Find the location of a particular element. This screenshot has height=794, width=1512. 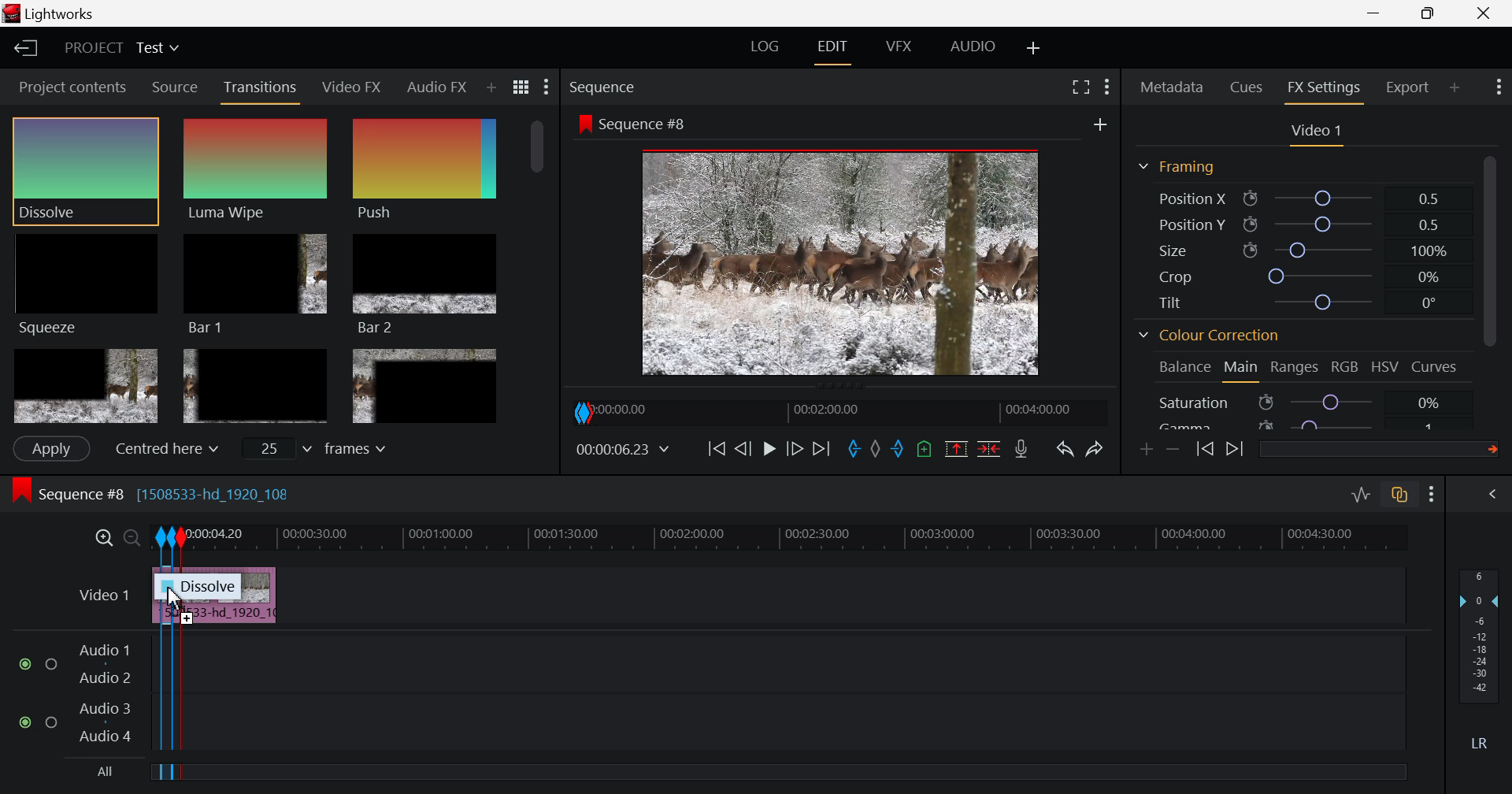

Project Timeline is located at coordinates (859, 537).